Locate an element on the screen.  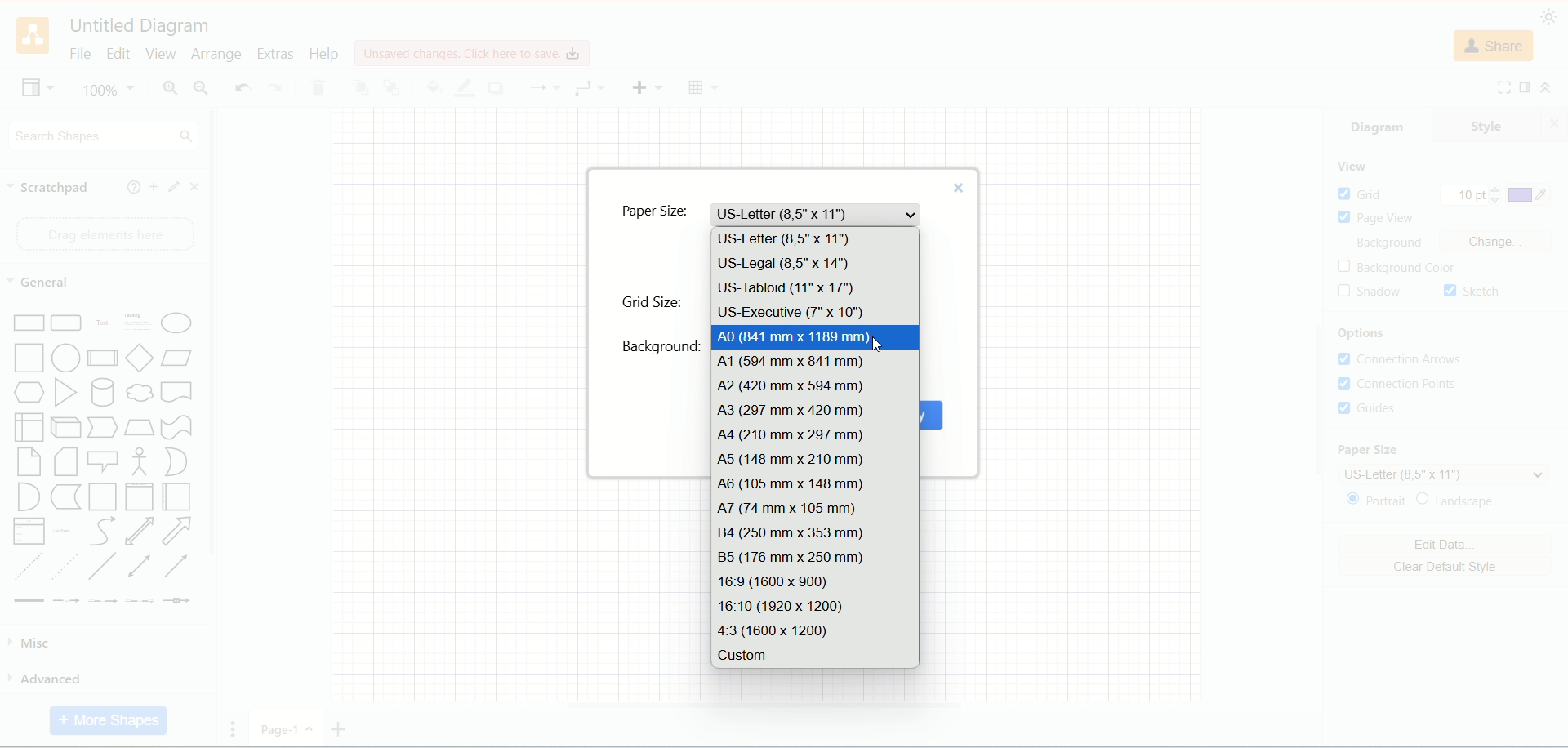
help is located at coordinates (129, 187).